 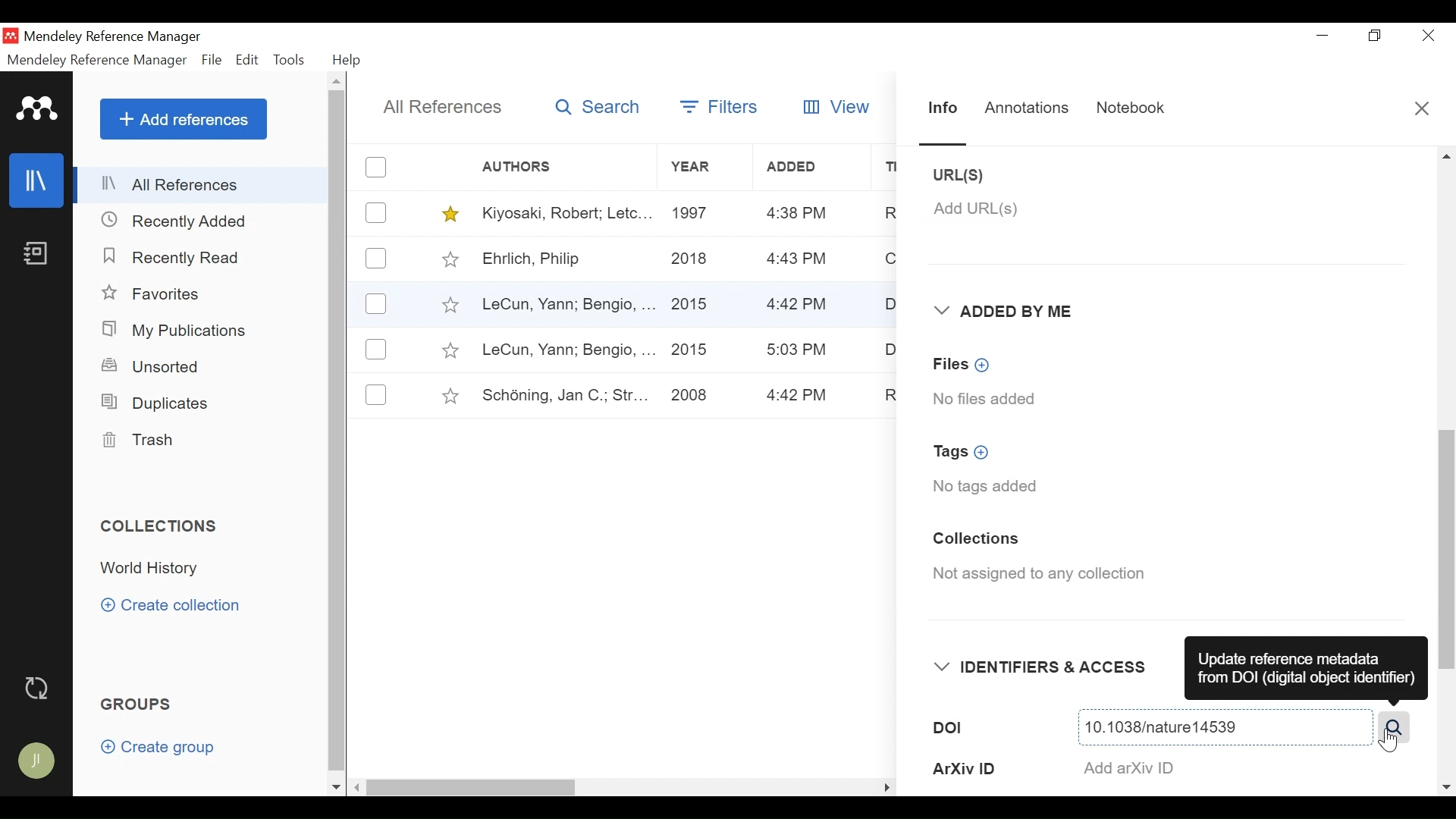 I want to click on 5:03 PM, so click(x=798, y=350).